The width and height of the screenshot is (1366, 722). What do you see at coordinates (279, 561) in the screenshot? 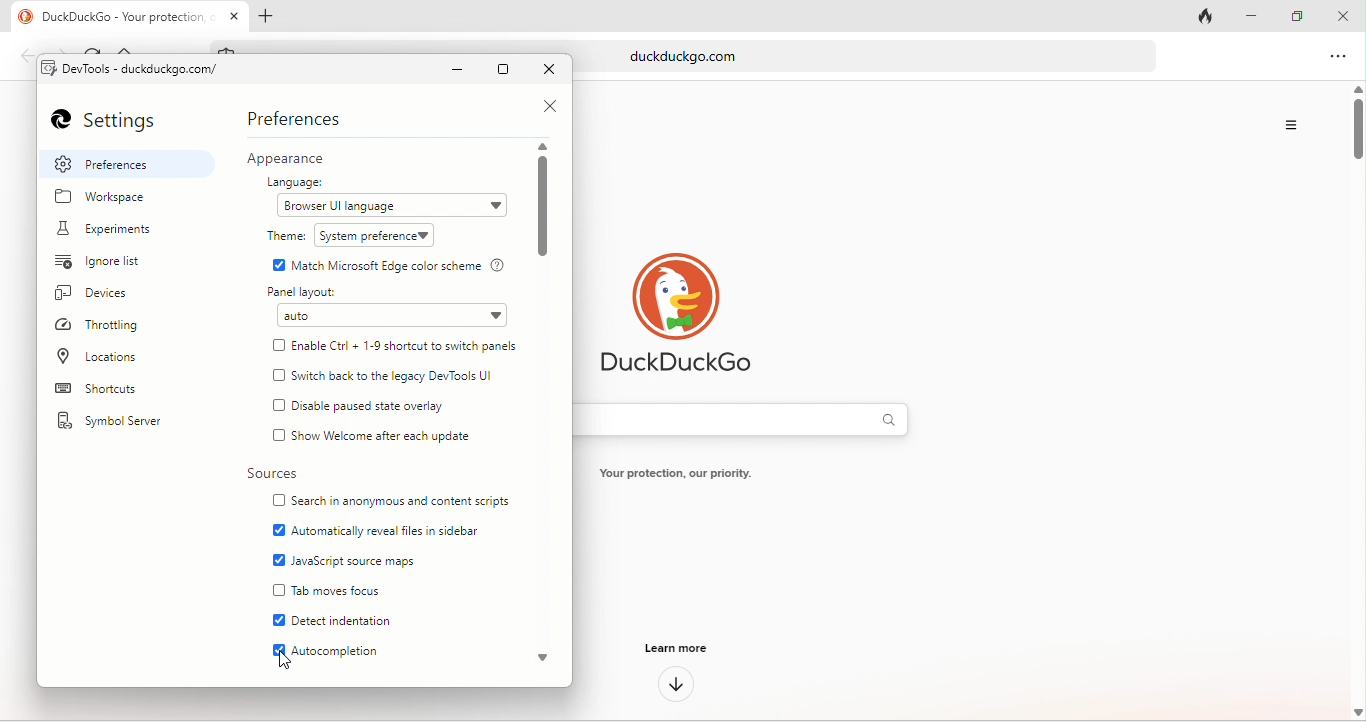
I see `enable checkbox` at bounding box center [279, 561].